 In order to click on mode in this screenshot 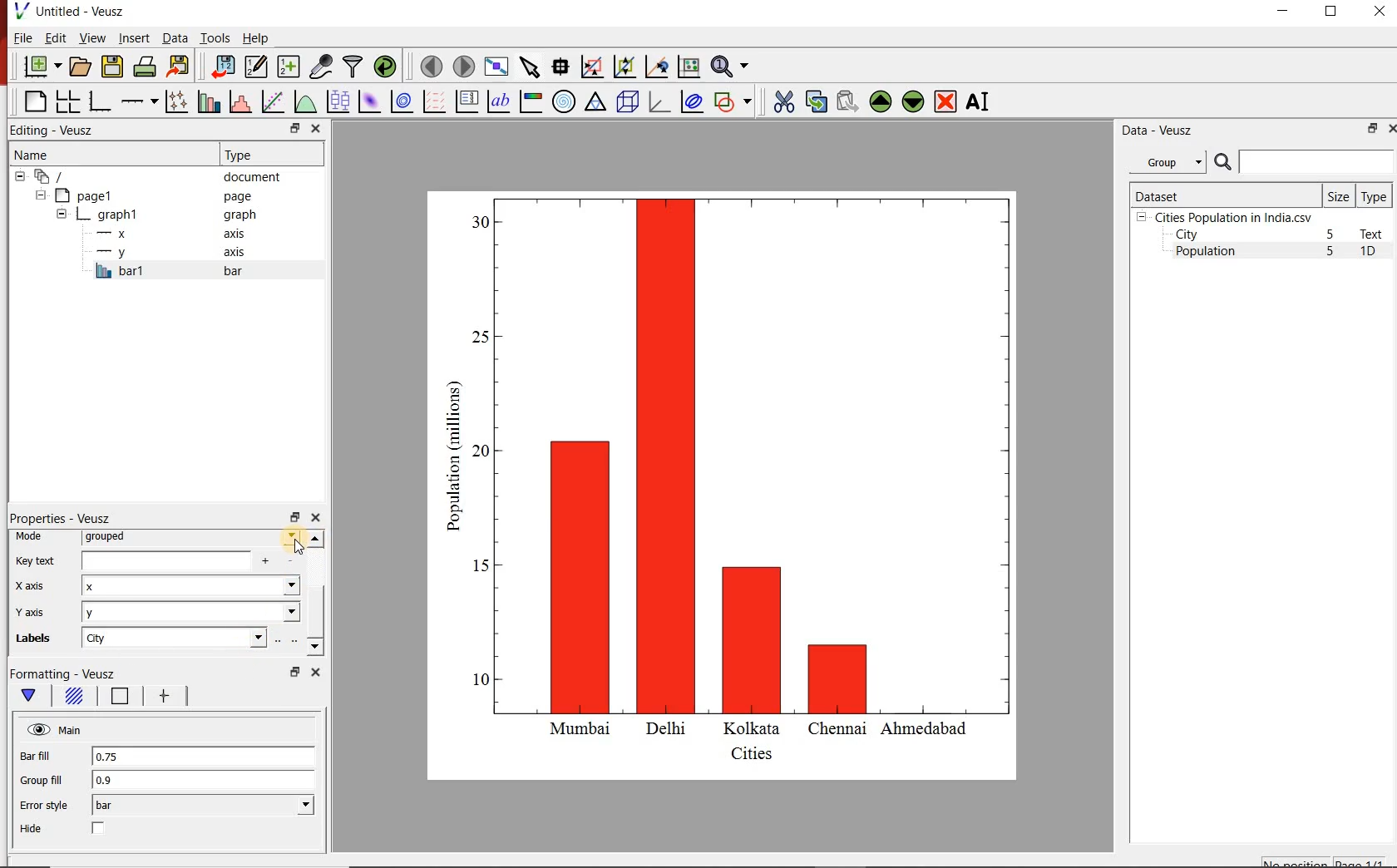, I will do `click(33, 537)`.